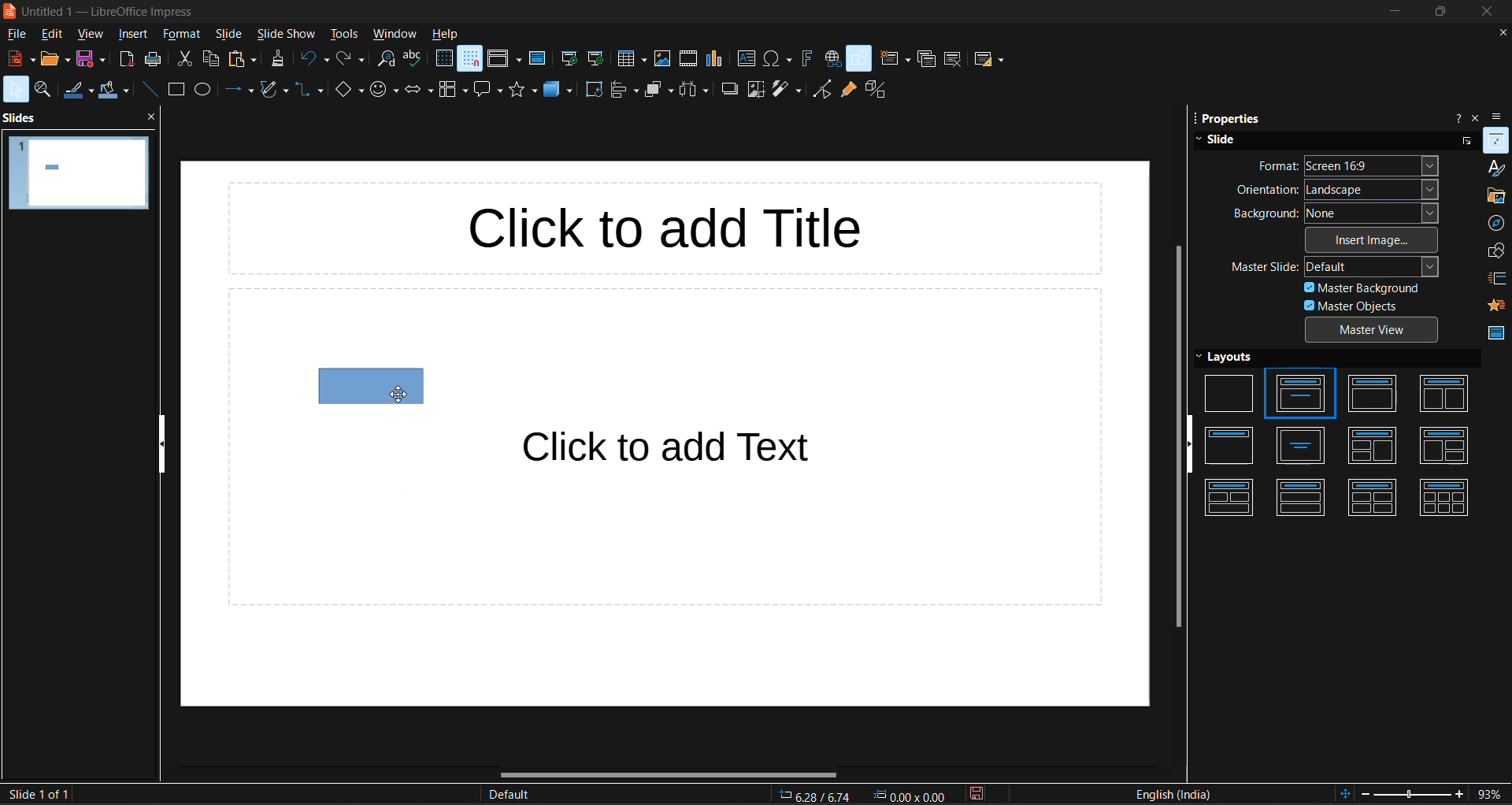  What do you see at coordinates (591, 89) in the screenshot?
I see `rotate` at bounding box center [591, 89].